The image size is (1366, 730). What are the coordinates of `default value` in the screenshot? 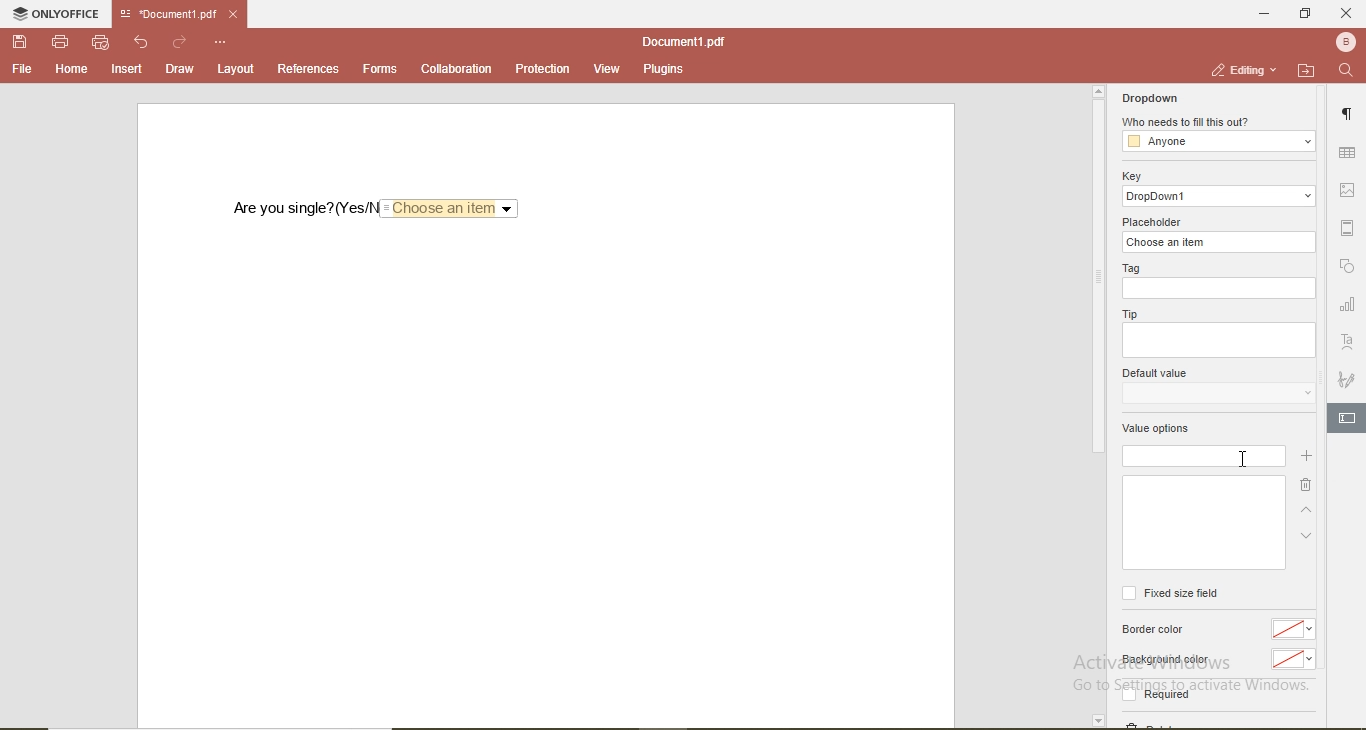 It's located at (1157, 372).